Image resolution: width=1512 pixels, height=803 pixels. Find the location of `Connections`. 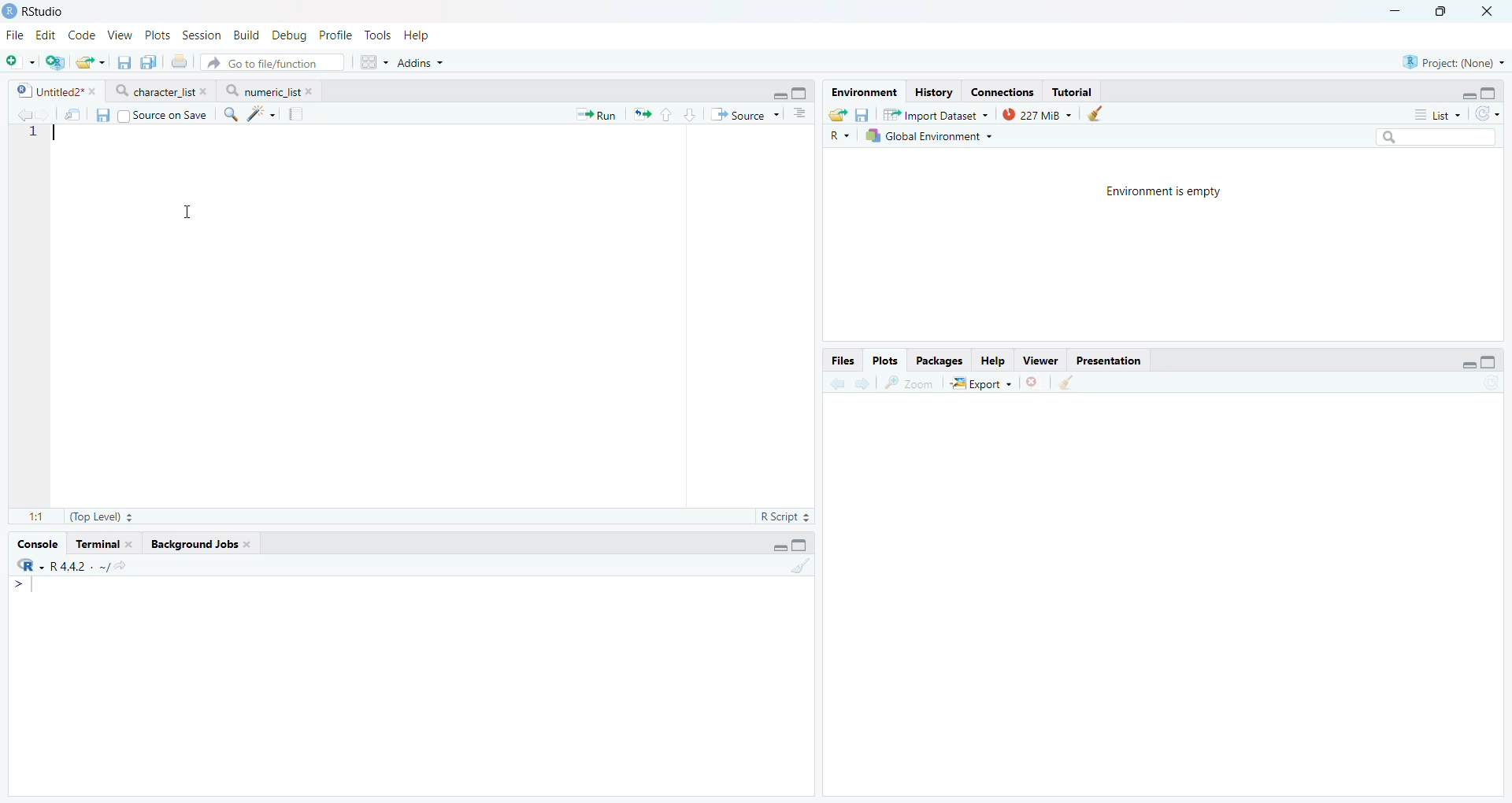

Connections is located at coordinates (1004, 91).